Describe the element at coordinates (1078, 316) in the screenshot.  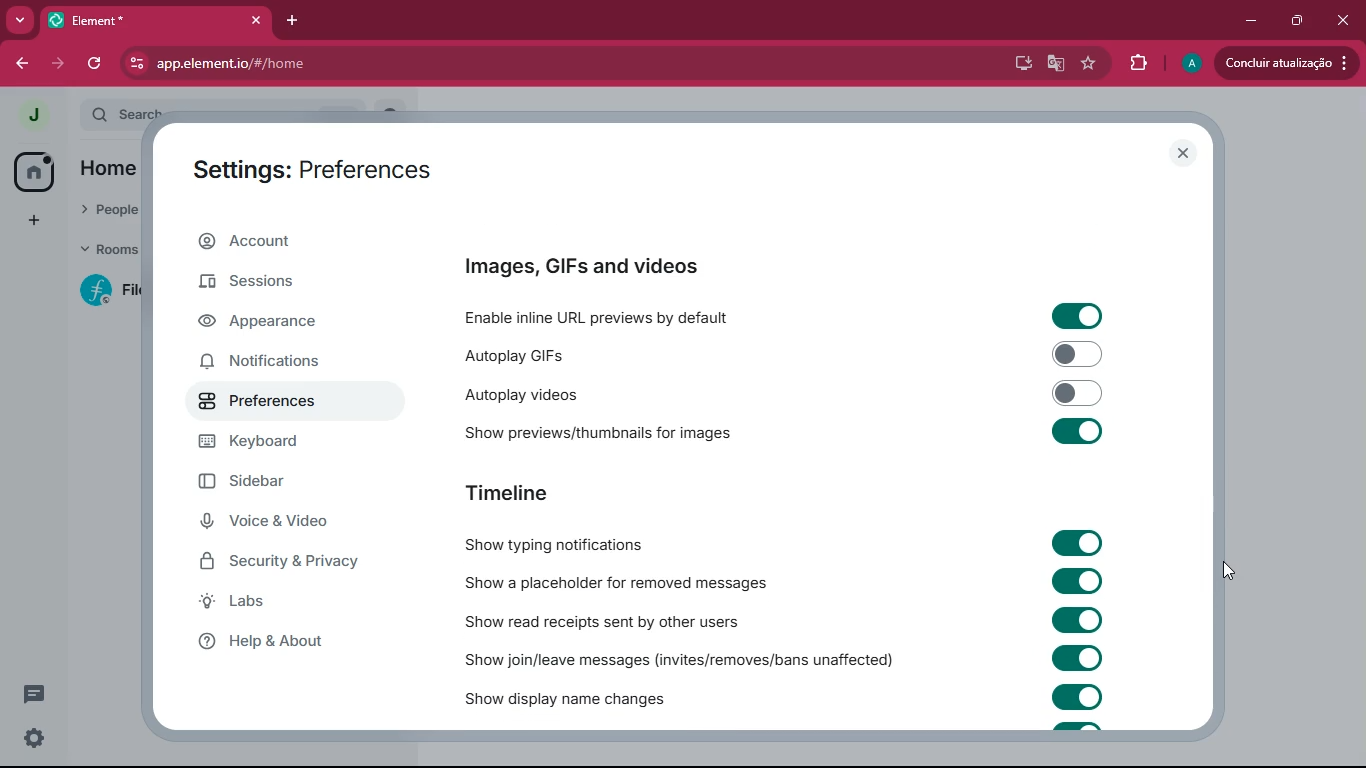
I see `toggle on/off` at that location.